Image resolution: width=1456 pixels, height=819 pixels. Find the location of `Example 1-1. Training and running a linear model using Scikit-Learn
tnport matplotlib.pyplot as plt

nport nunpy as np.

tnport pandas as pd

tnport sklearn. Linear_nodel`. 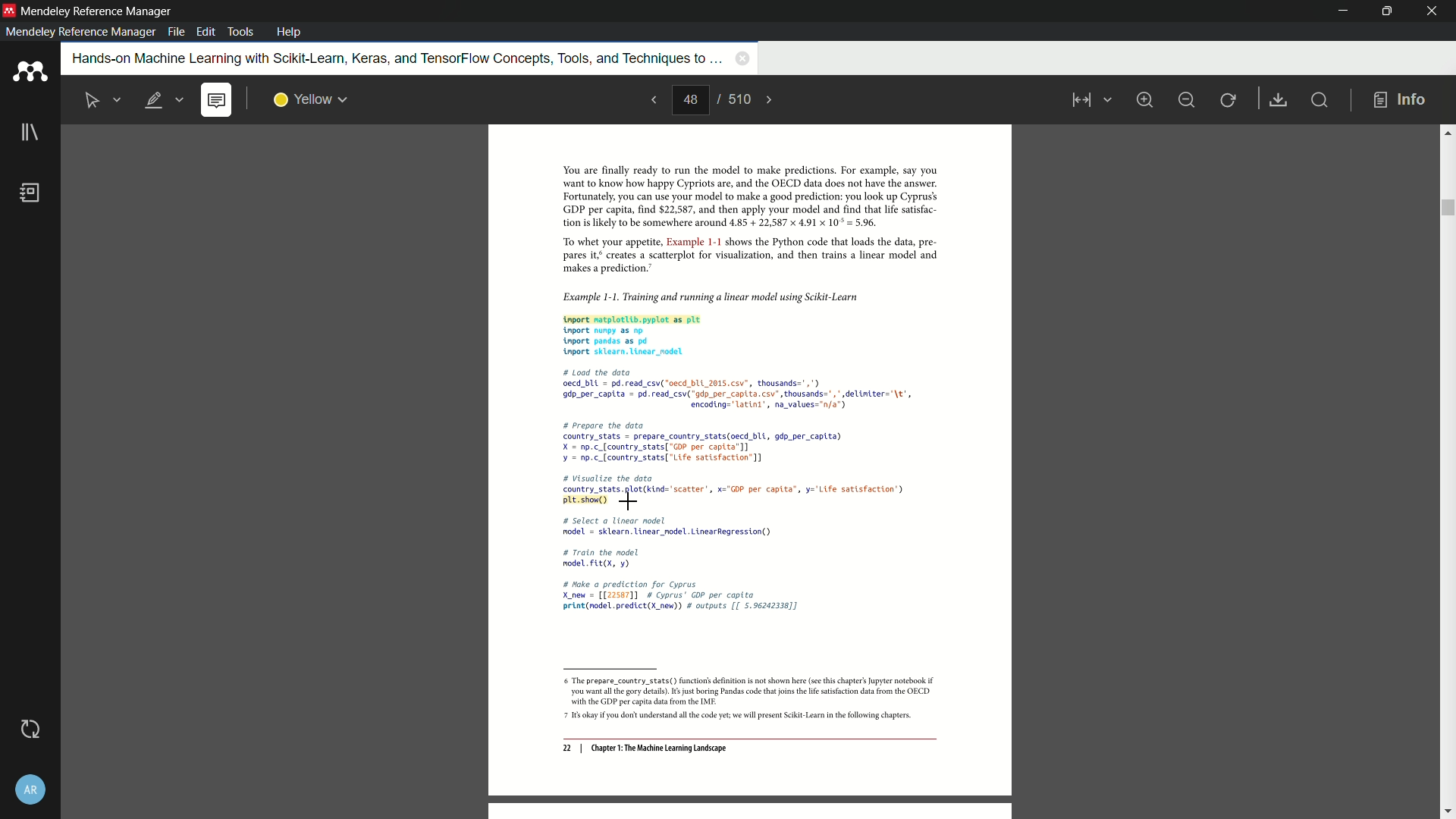

Example 1-1. Training and running a linear model using Scikit-Learn
tnport matplotlib.pyplot as plt

nport nunpy as np.

tnport pandas as pd

tnport sklearn. Linear_nodel is located at coordinates (740, 322).